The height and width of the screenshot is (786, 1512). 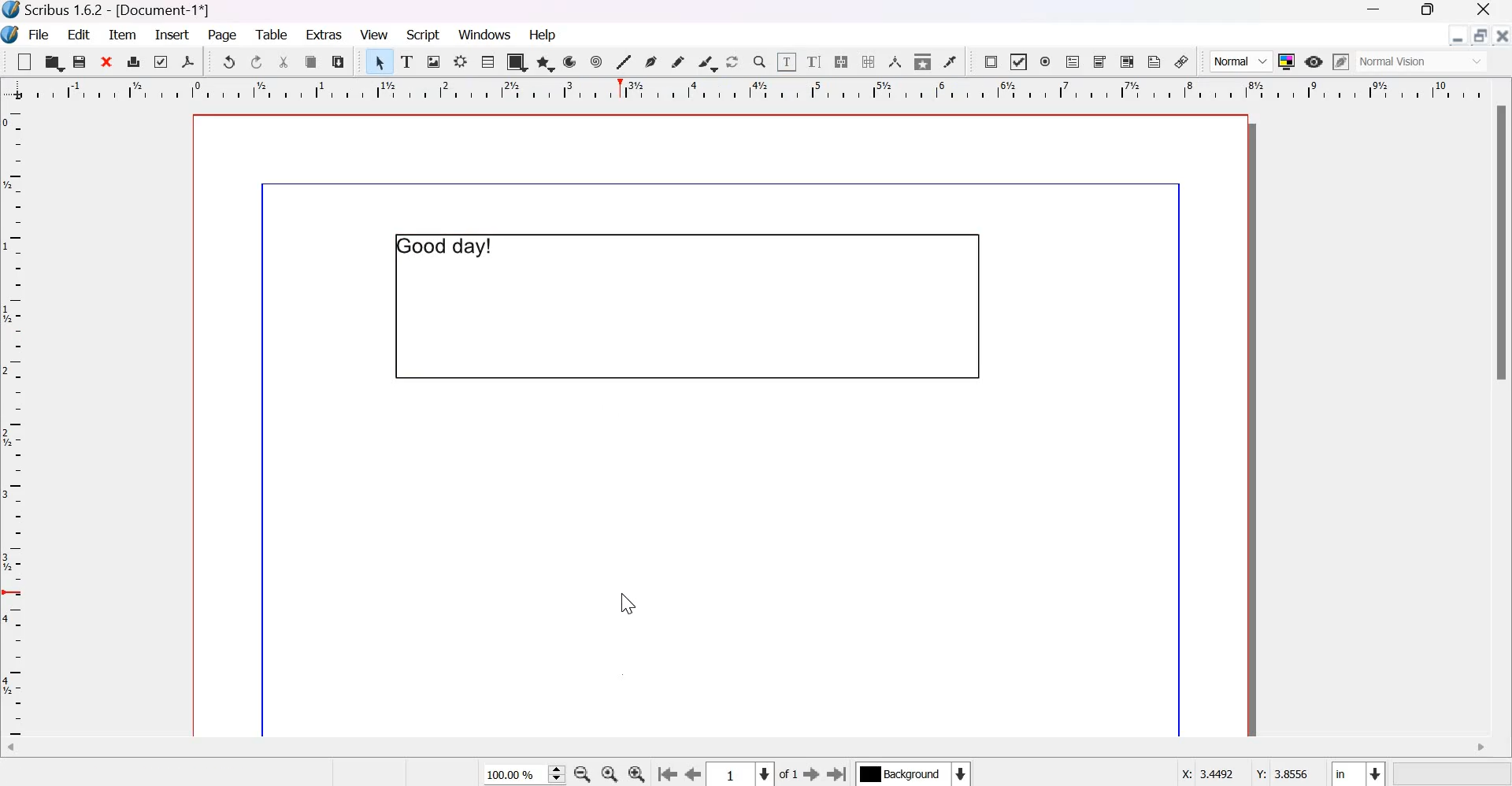 What do you see at coordinates (11, 35) in the screenshot?
I see `Logo` at bounding box center [11, 35].